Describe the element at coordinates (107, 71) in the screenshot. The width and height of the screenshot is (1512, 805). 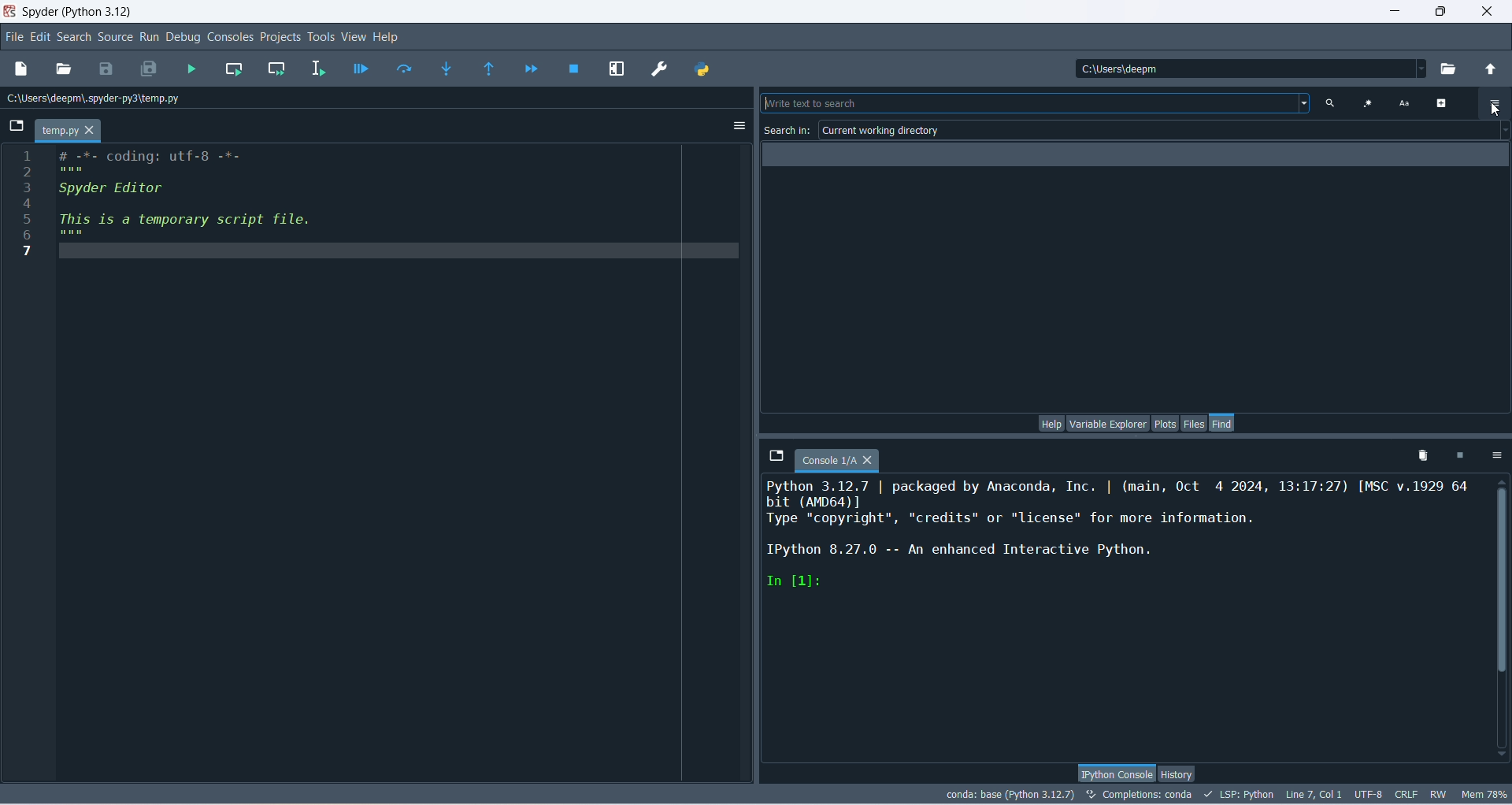
I see `save` at that location.